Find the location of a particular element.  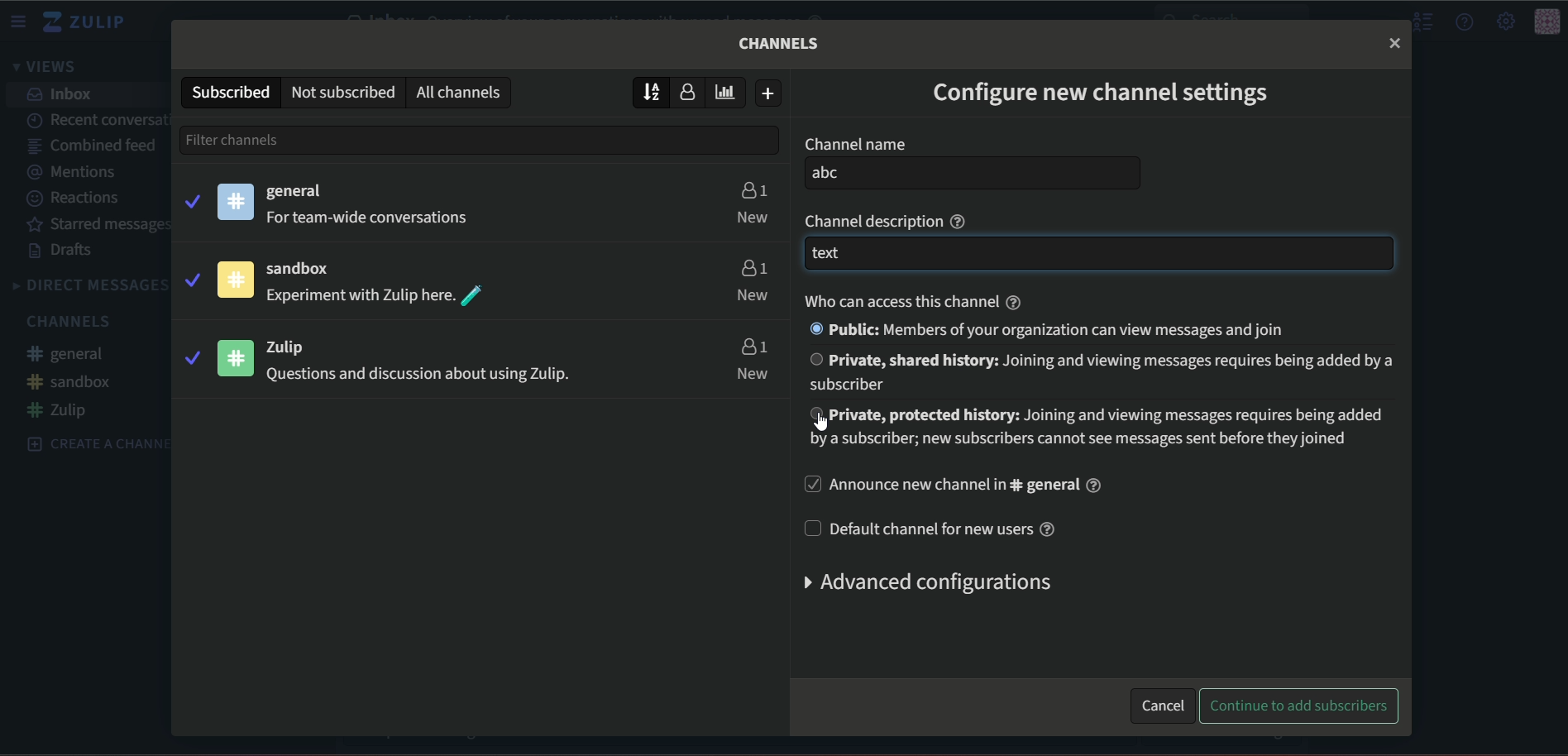

text is located at coordinates (372, 218).